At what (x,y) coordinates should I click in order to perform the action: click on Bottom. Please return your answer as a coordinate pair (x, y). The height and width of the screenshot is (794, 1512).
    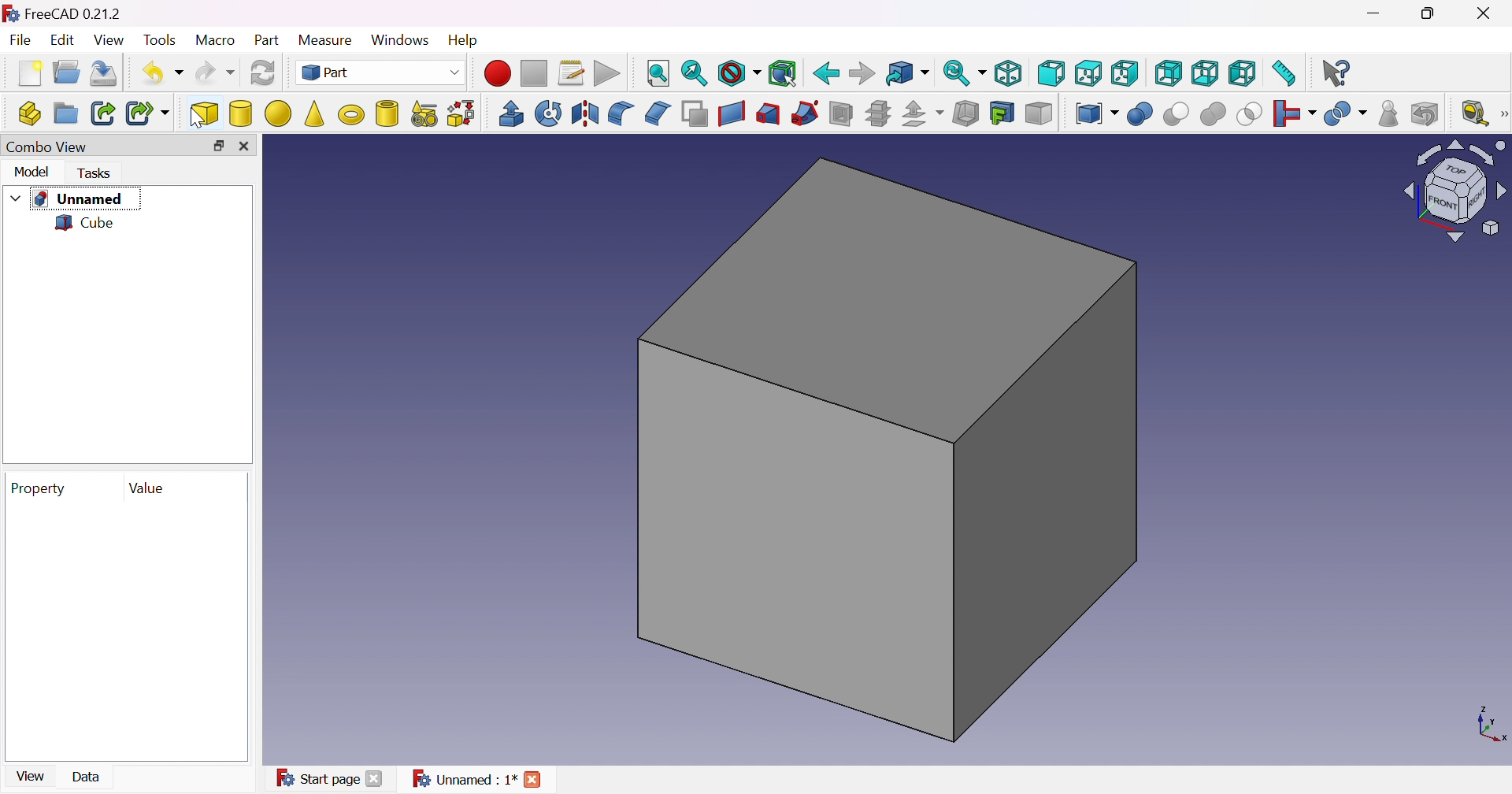
    Looking at the image, I should click on (1205, 74).